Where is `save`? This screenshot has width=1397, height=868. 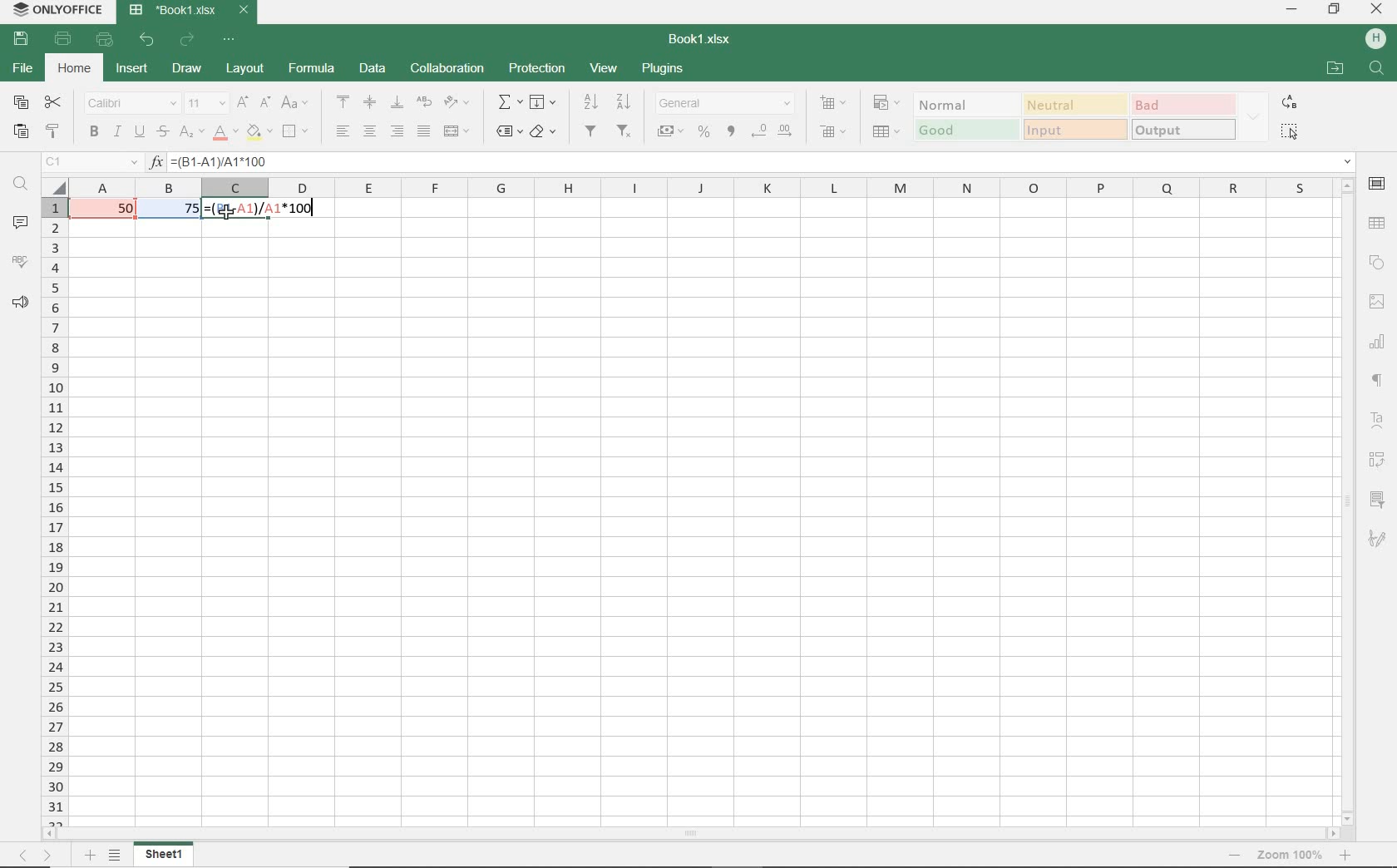 save is located at coordinates (20, 40).